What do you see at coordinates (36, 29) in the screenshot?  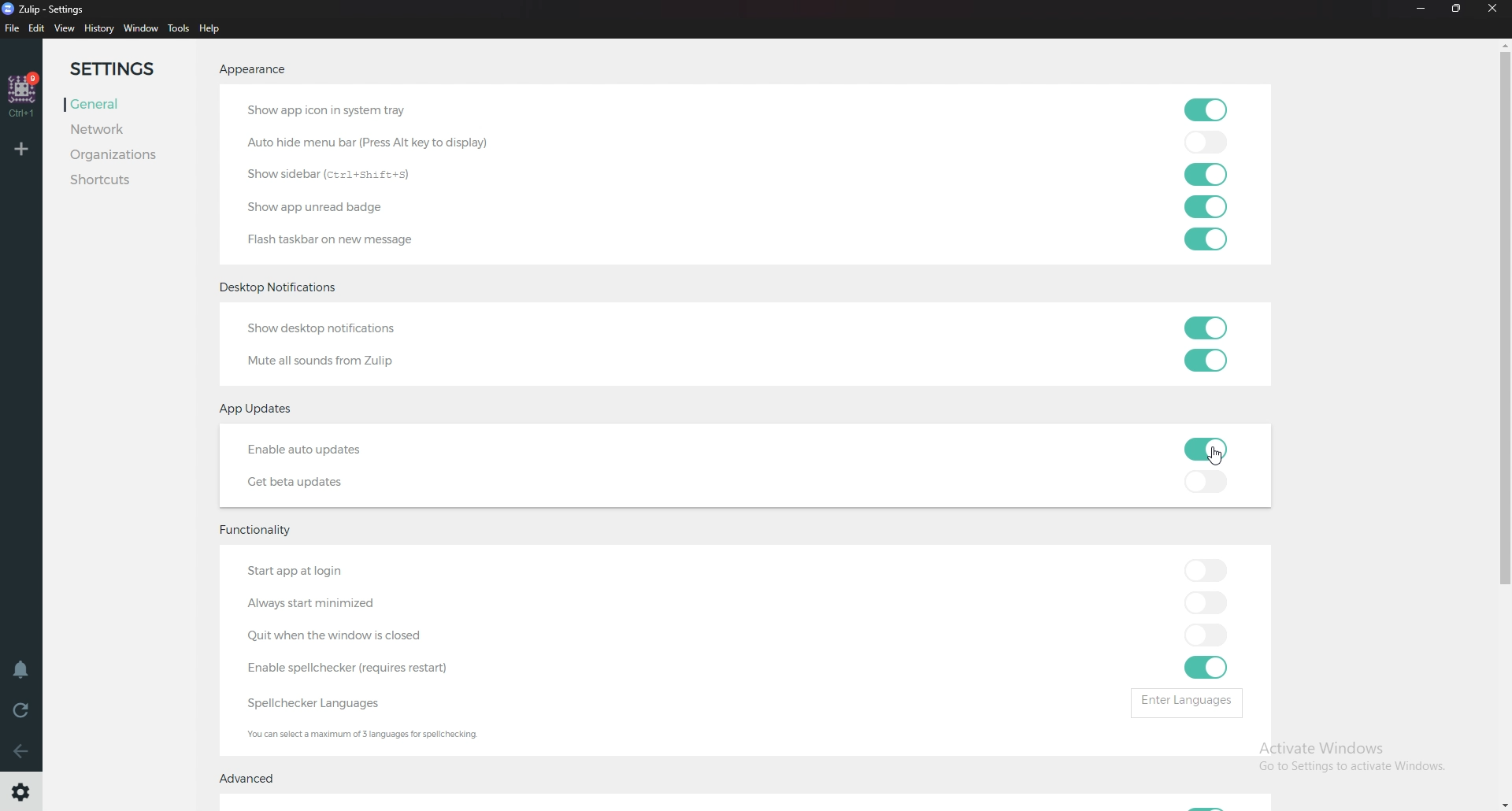 I see `Edit` at bounding box center [36, 29].